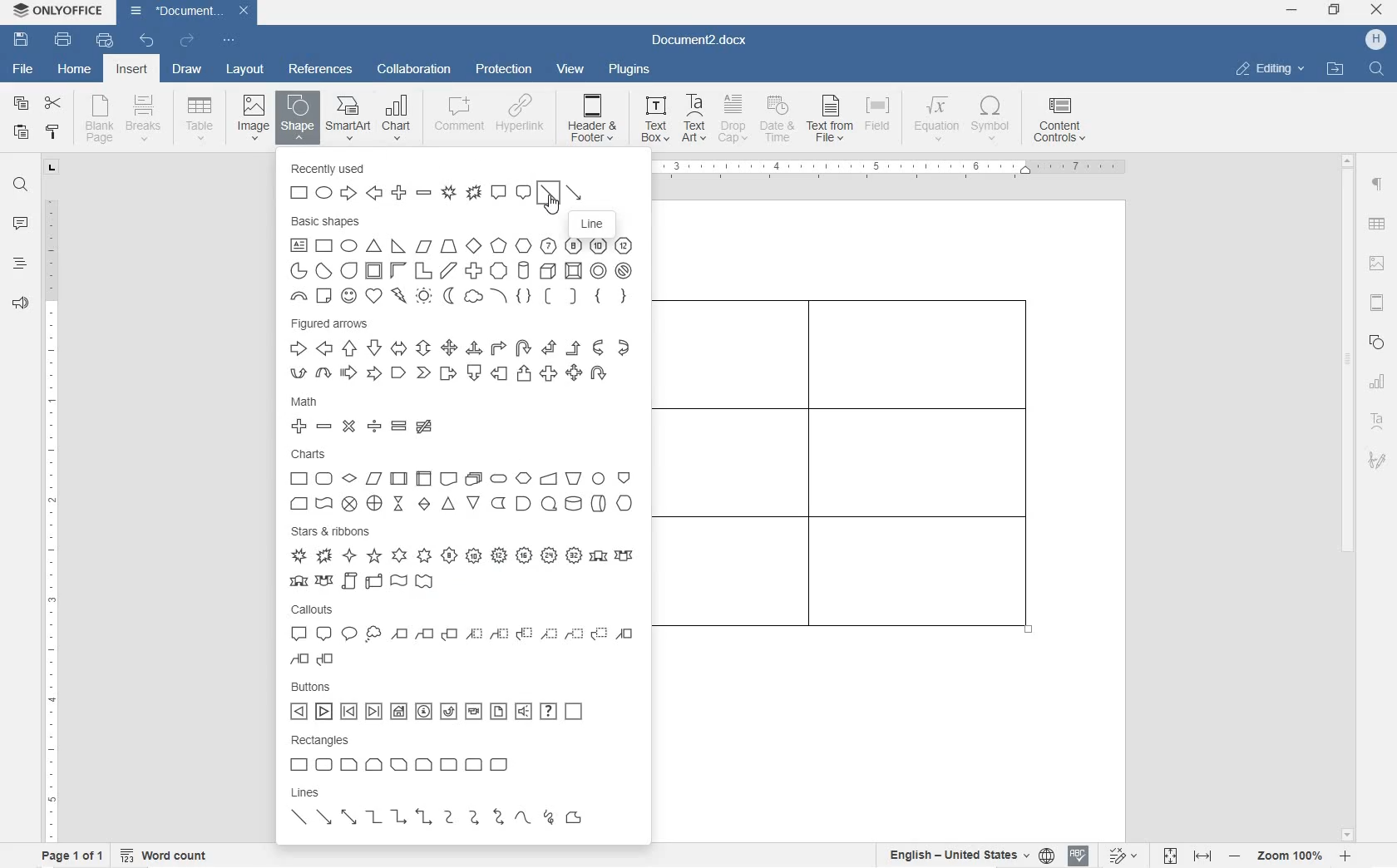 The width and height of the screenshot is (1397, 868). Describe the element at coordinates (465, 349) in the screenshot. I see `figured arrows` at that location.